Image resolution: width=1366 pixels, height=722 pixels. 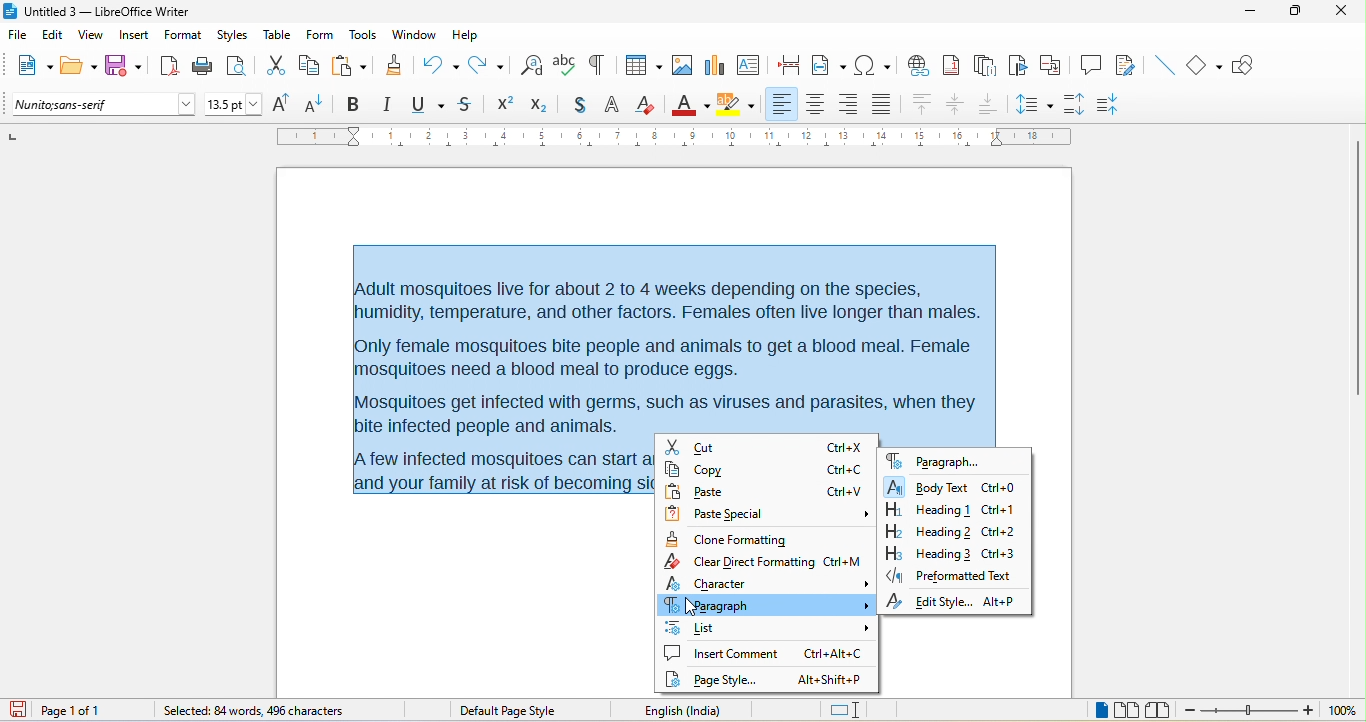 I want to click on outline font effect, so click(x=613, y=106).